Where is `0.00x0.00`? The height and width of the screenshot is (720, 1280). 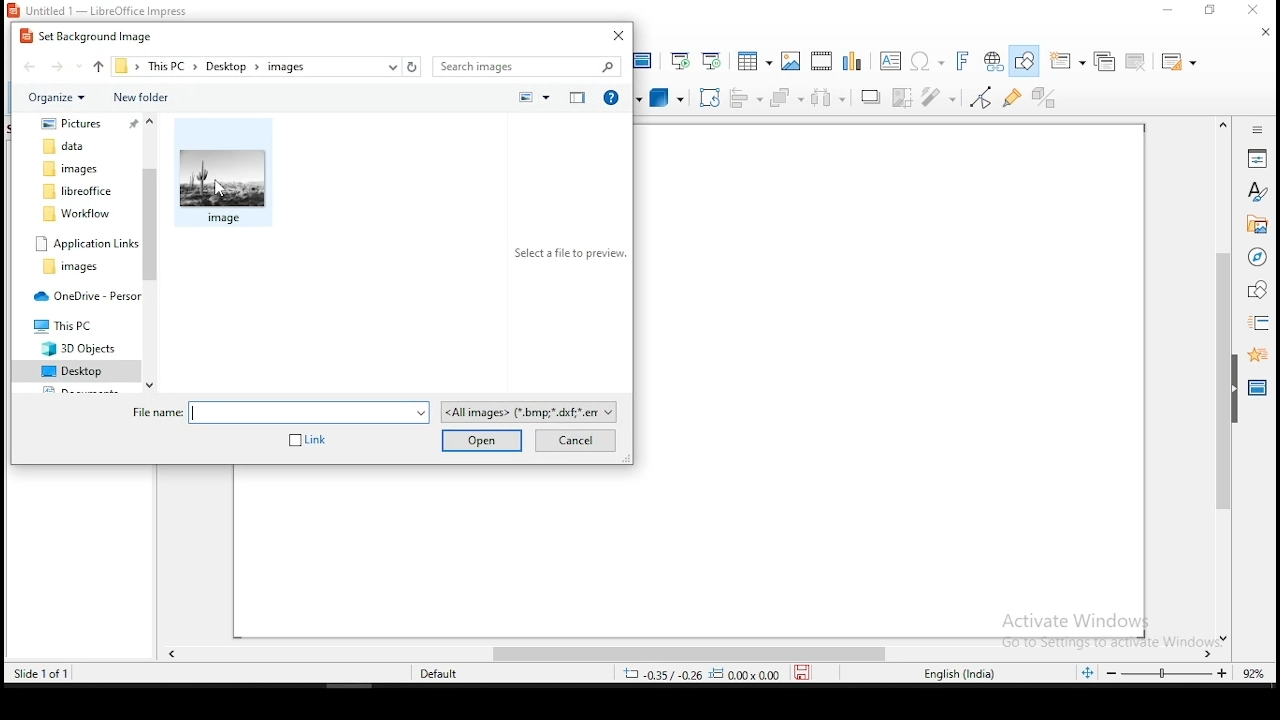
0.00x0.00 is located at coordinates (746, 675).